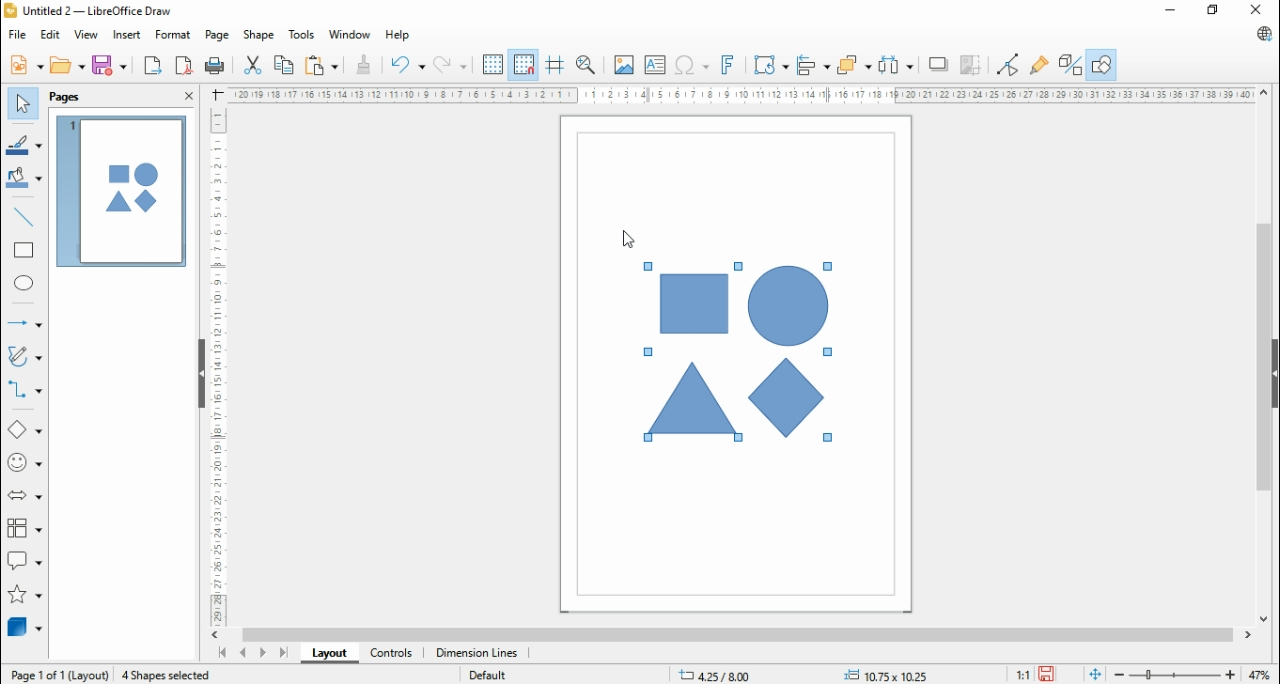 Image resolution: width=1280 pixels, height=684 pixels. Describe the element at coordinates (67, 97) in the screenshot. I see `pages` at that location.